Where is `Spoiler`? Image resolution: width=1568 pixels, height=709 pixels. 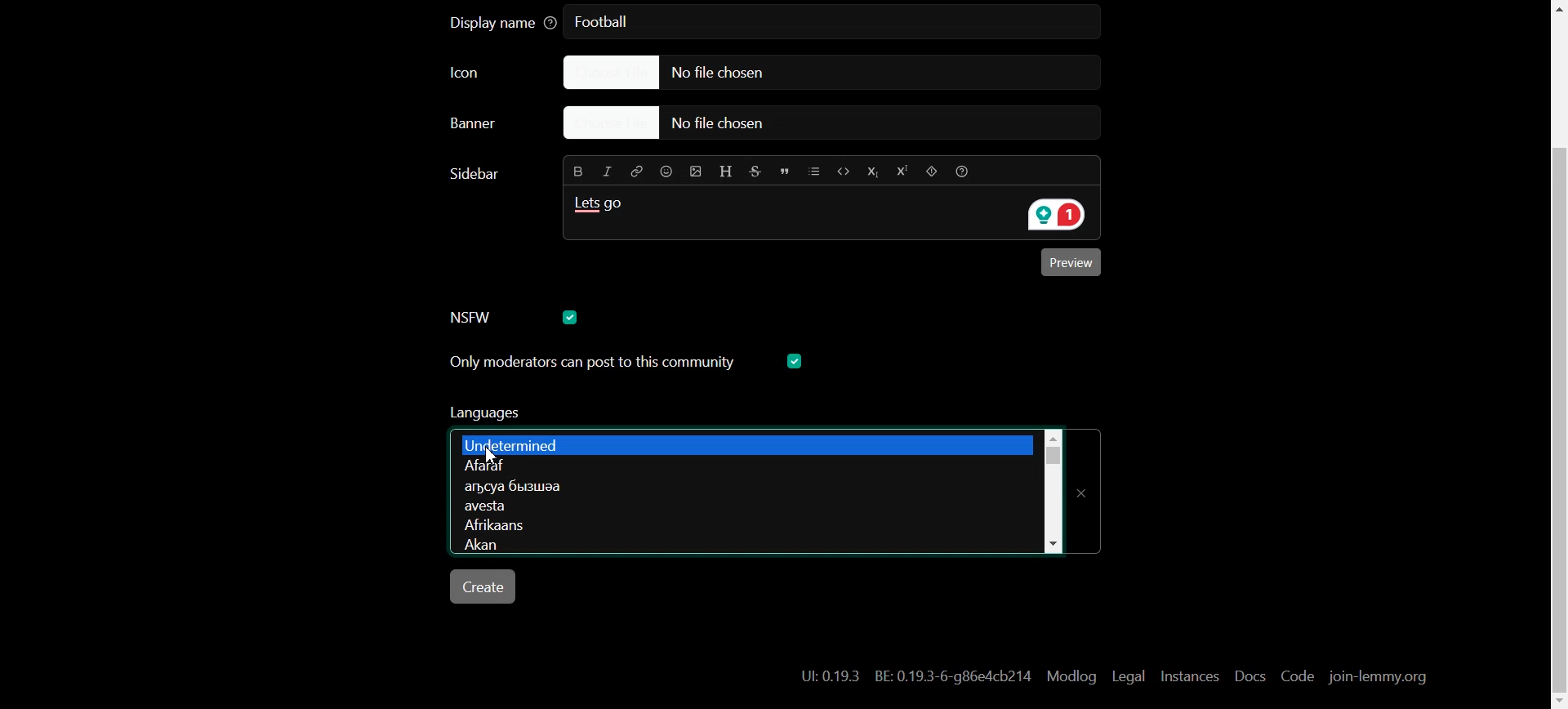 Spoiler is located at coordinates (930, 172).